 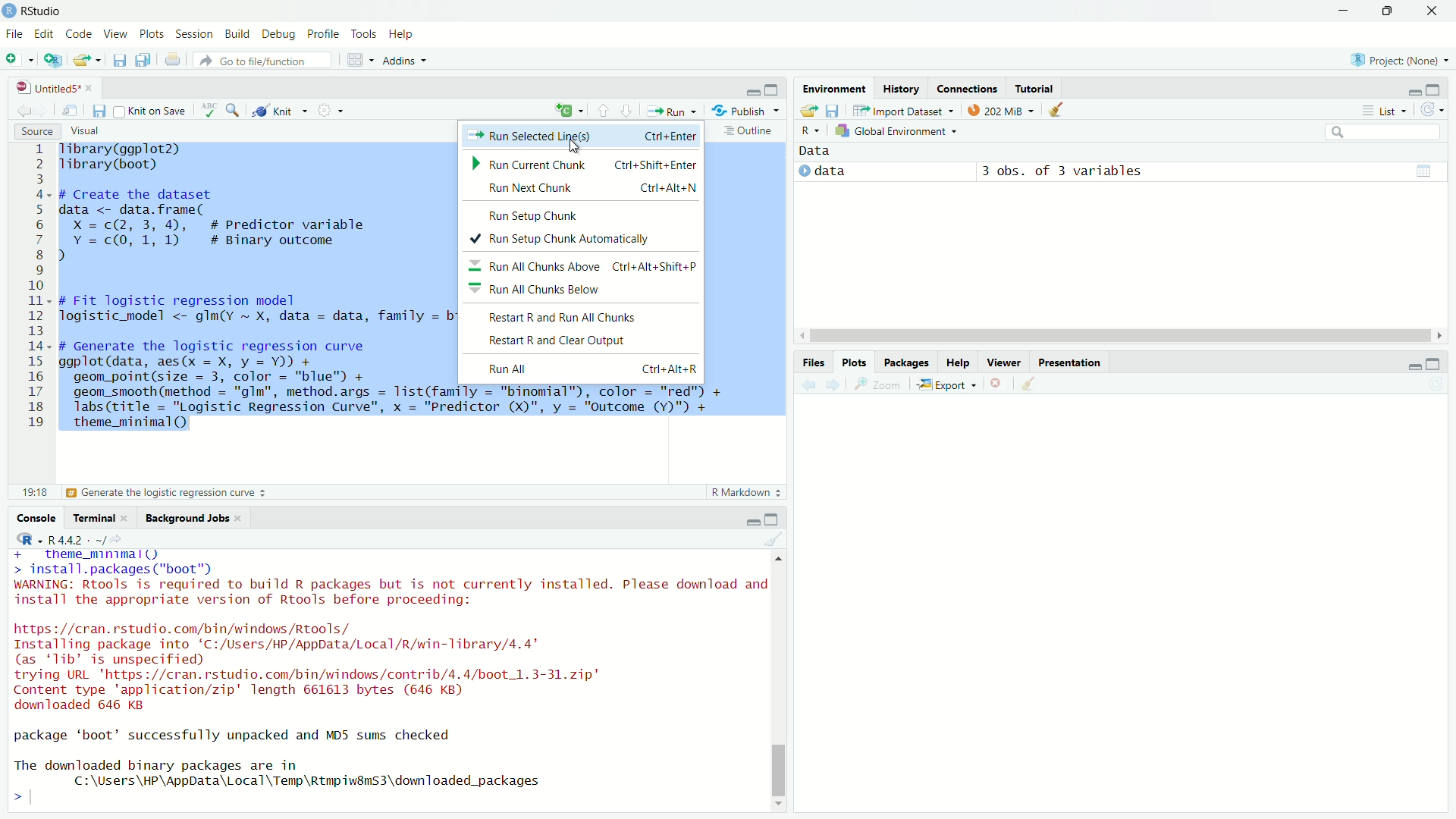 I want to click on New file, so click(x=19, y=61).